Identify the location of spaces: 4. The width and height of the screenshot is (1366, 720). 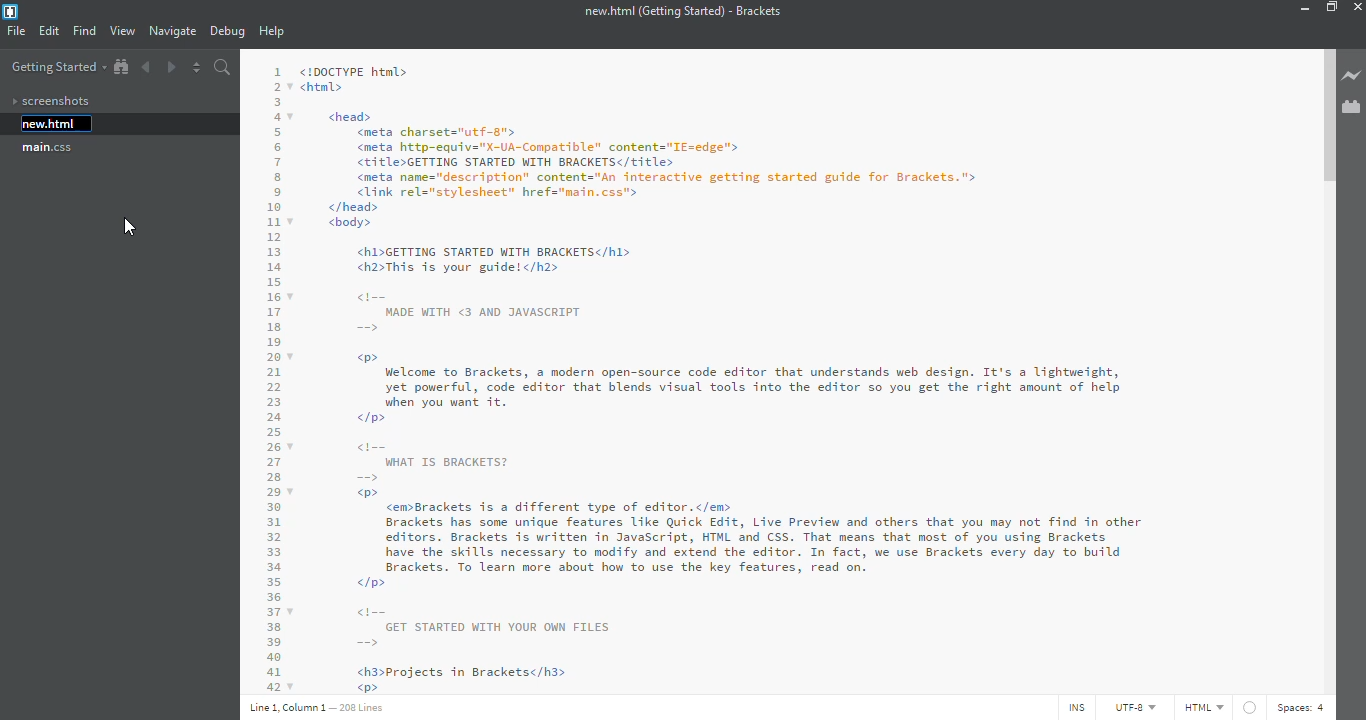
(1309, 708).